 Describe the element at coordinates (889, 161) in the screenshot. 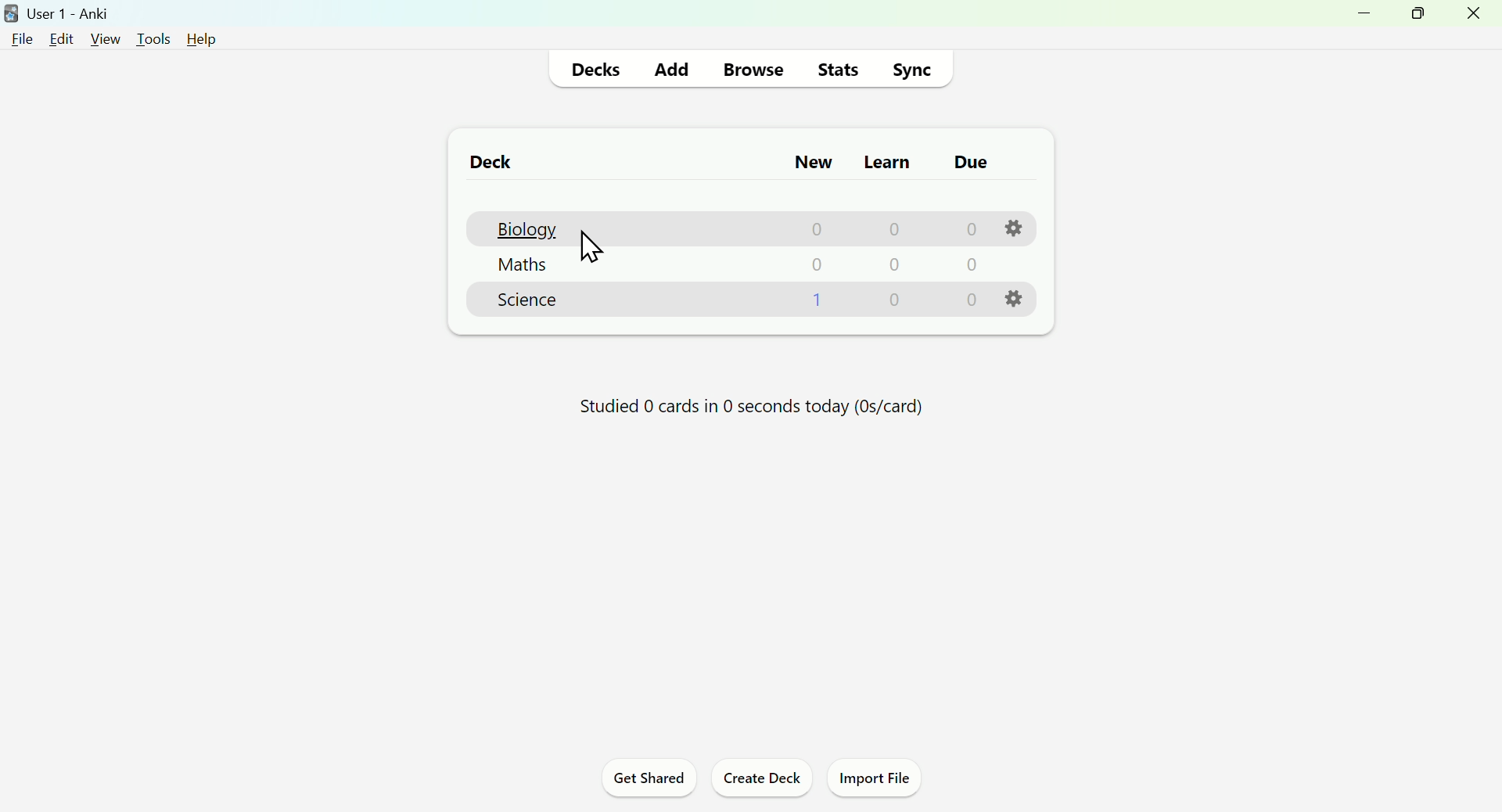

I see `Learn` at that location.